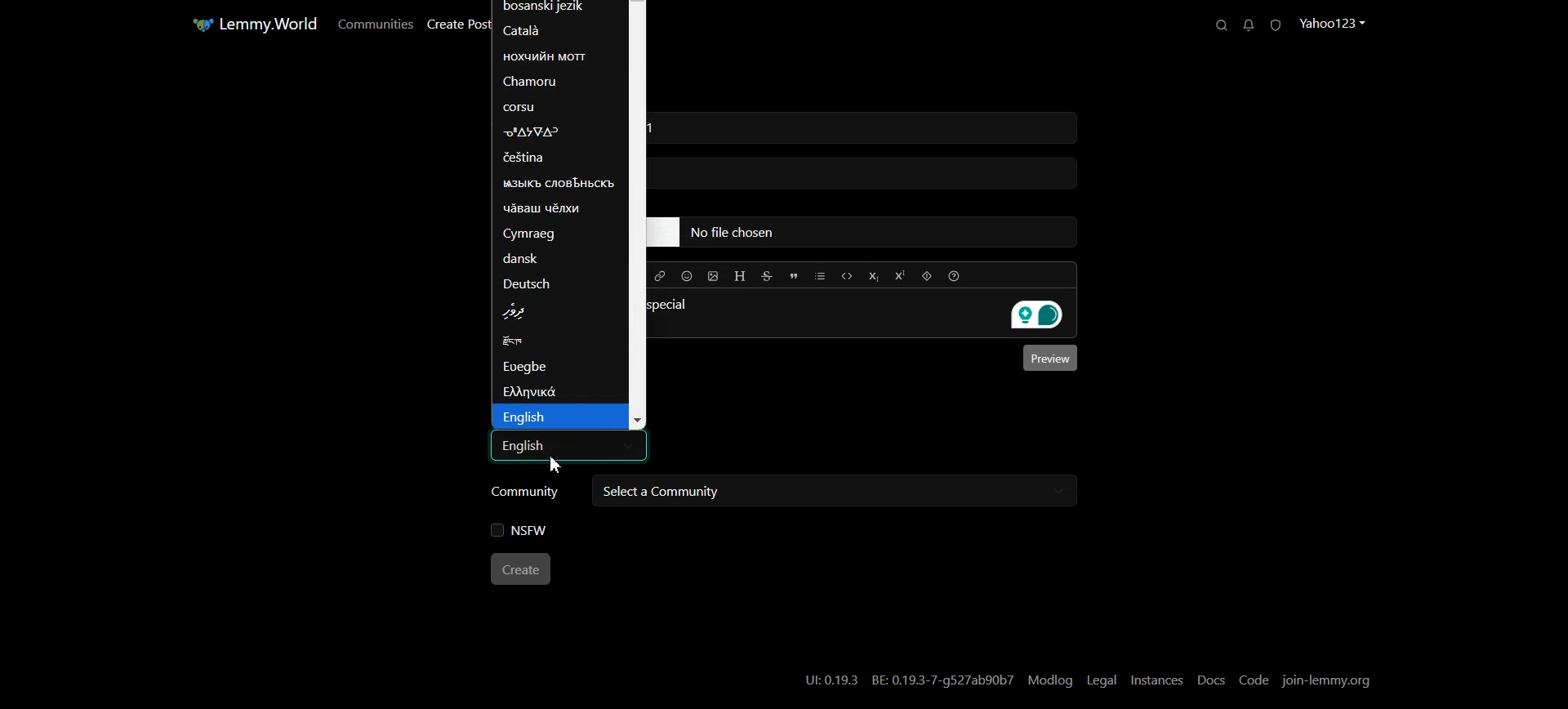 The height and width of the screenshot is (709, 1568). What do you see at coordinates (1280, 25) in the screenshot?
I see `Unread Report` at bounding box center [1280, 25].